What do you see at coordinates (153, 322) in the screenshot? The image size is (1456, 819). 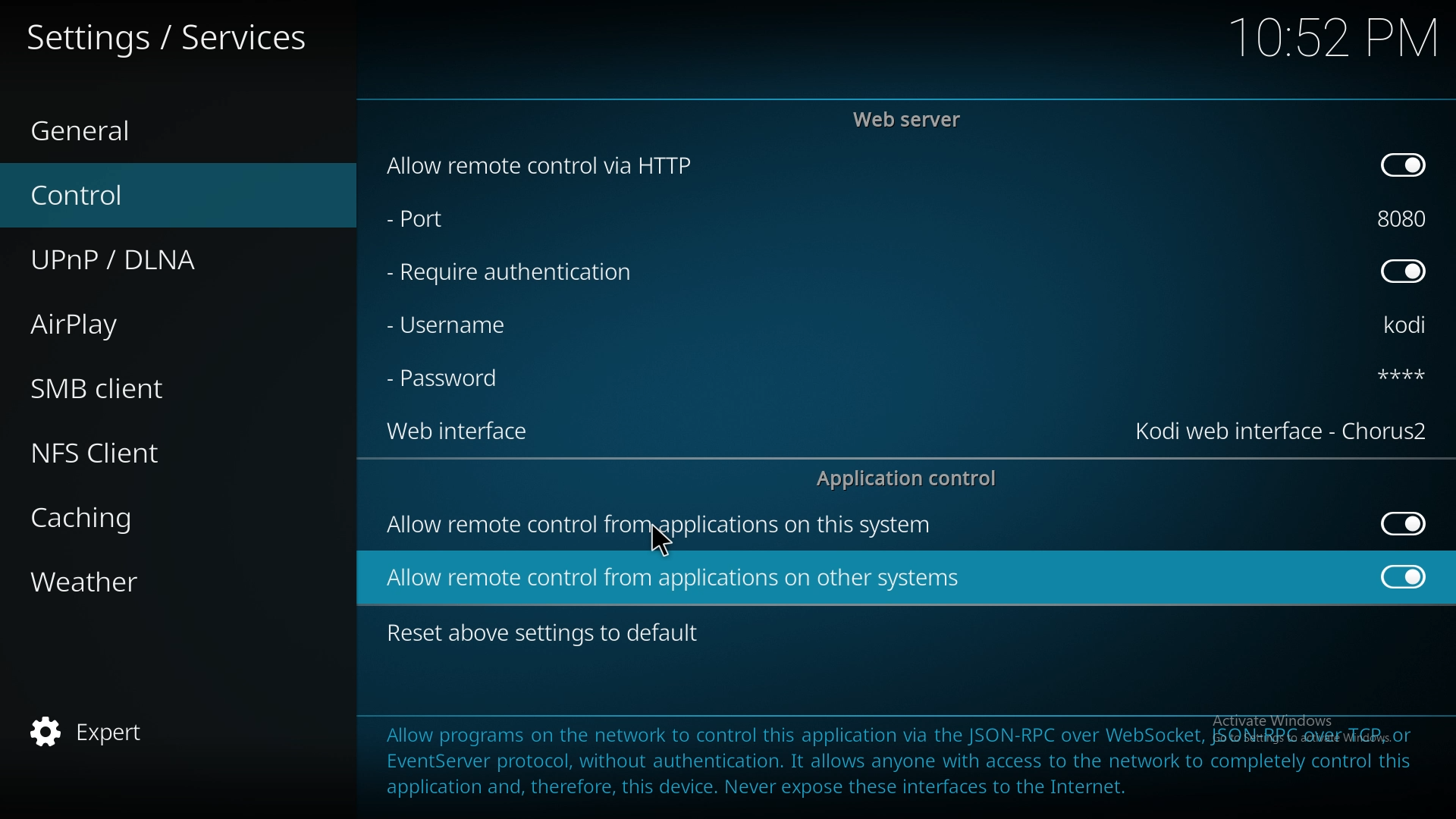 I see `airplay` at bounding box center [153, 322].